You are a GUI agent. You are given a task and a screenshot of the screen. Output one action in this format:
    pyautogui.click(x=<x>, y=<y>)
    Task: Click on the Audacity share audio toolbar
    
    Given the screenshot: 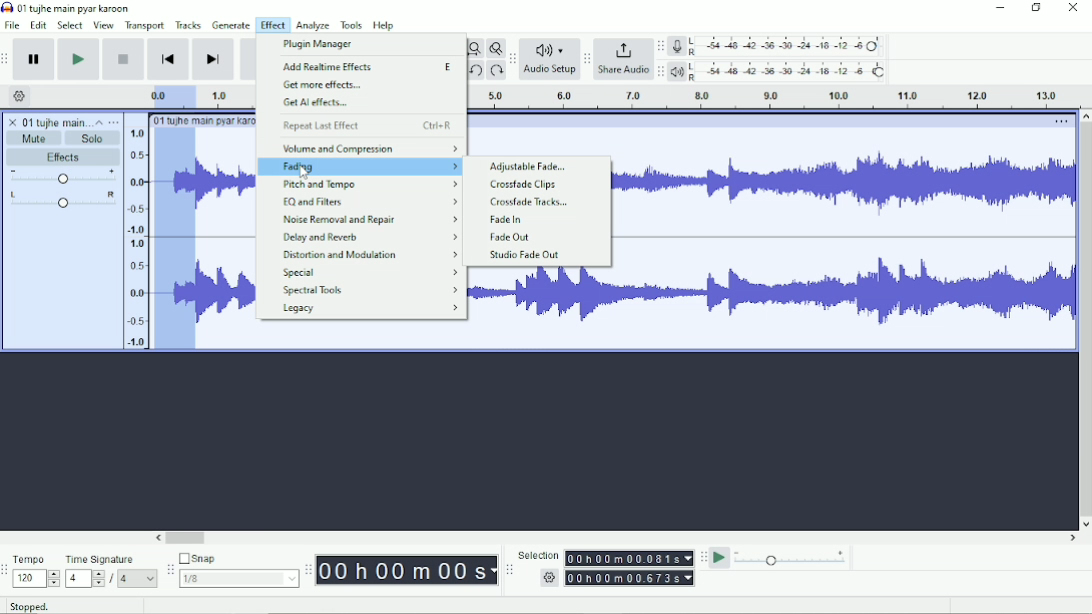 What is the action you would take?
    pyautogui.click(x=587, y=60)
    